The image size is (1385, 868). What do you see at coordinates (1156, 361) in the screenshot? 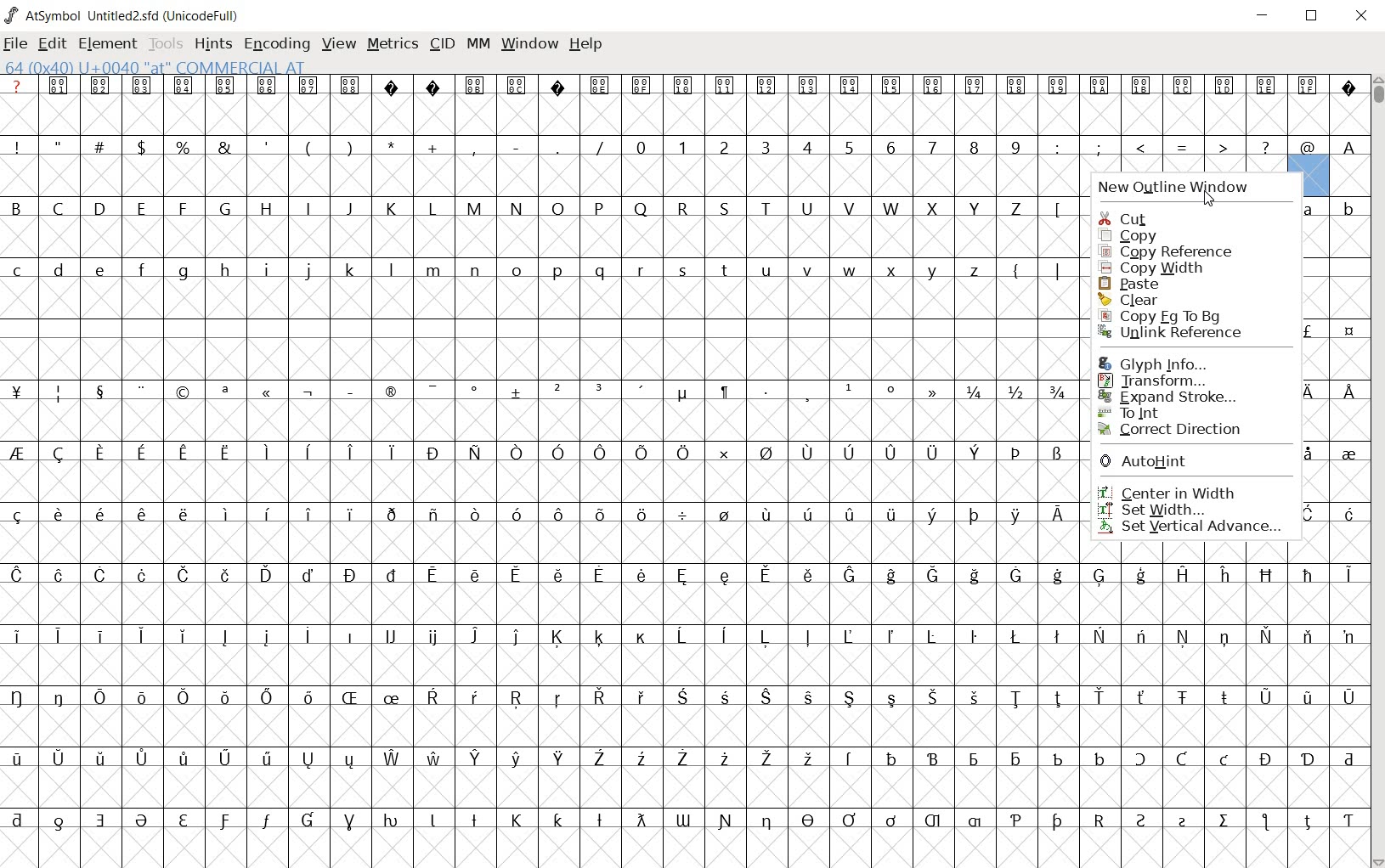
I see `GLYPH INFO` at bounding box center [1156, 361].